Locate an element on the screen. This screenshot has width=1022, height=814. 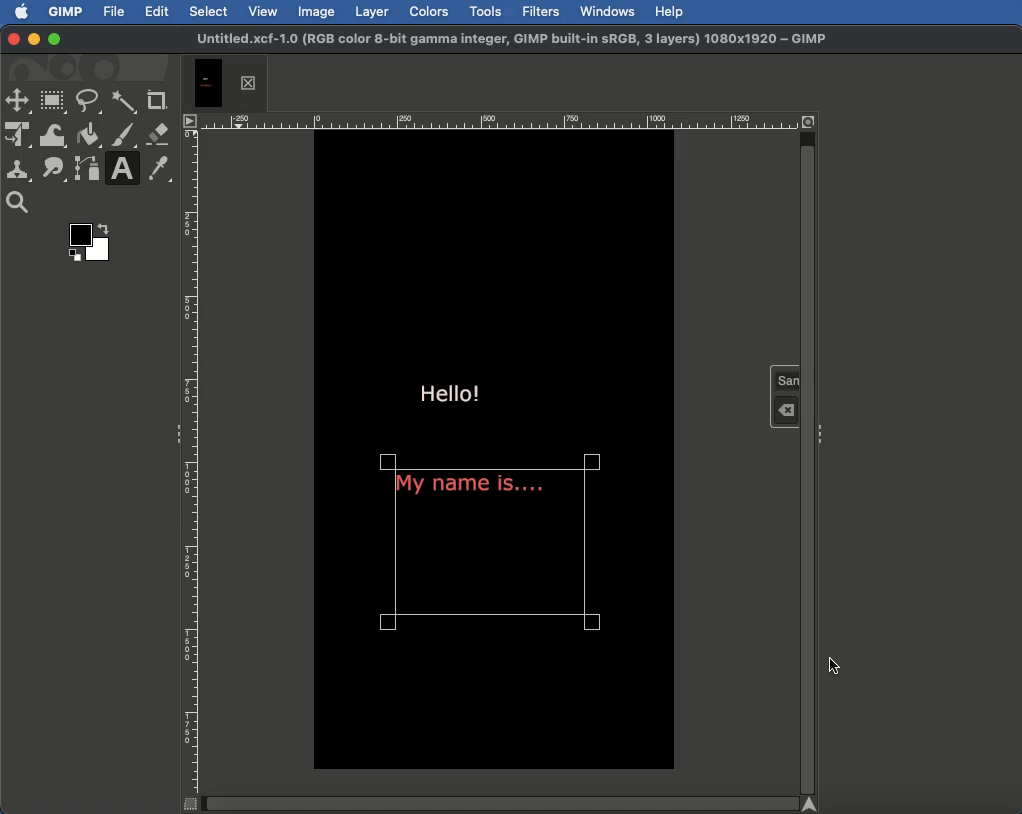
Fill color is located at coordinates (88, 134).